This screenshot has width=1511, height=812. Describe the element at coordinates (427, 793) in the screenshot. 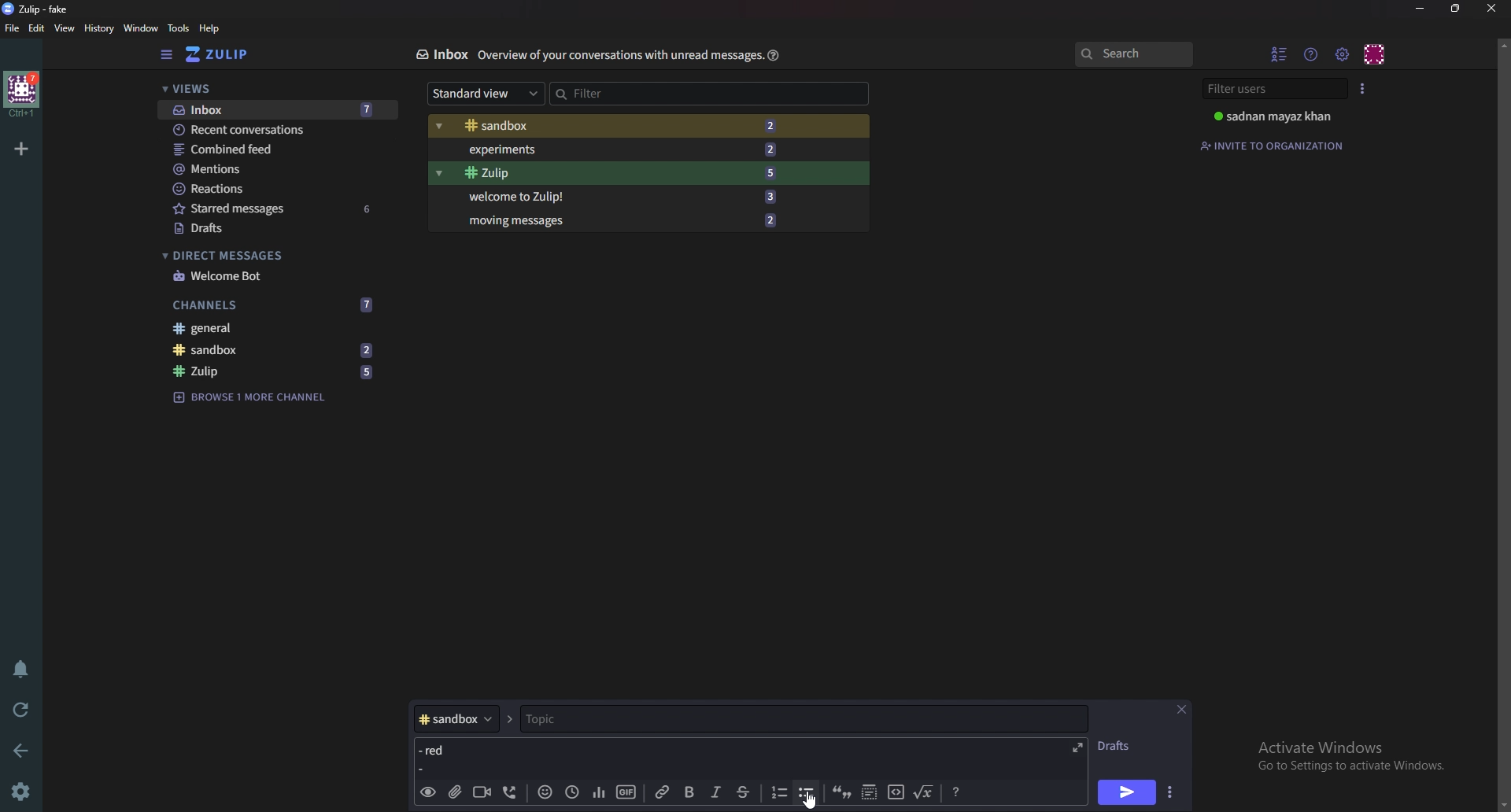

I see `preview` at that location.